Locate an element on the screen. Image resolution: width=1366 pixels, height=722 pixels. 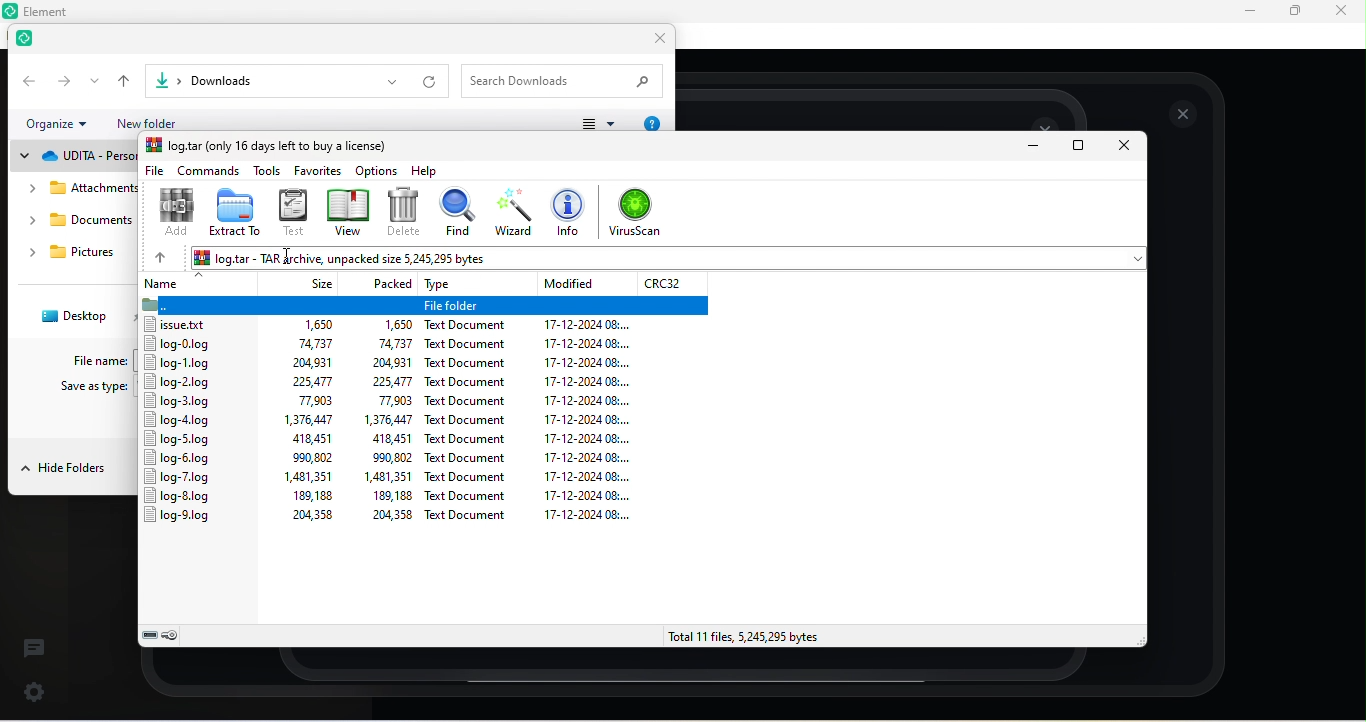
udita personal is located at coordinates (72, 156).